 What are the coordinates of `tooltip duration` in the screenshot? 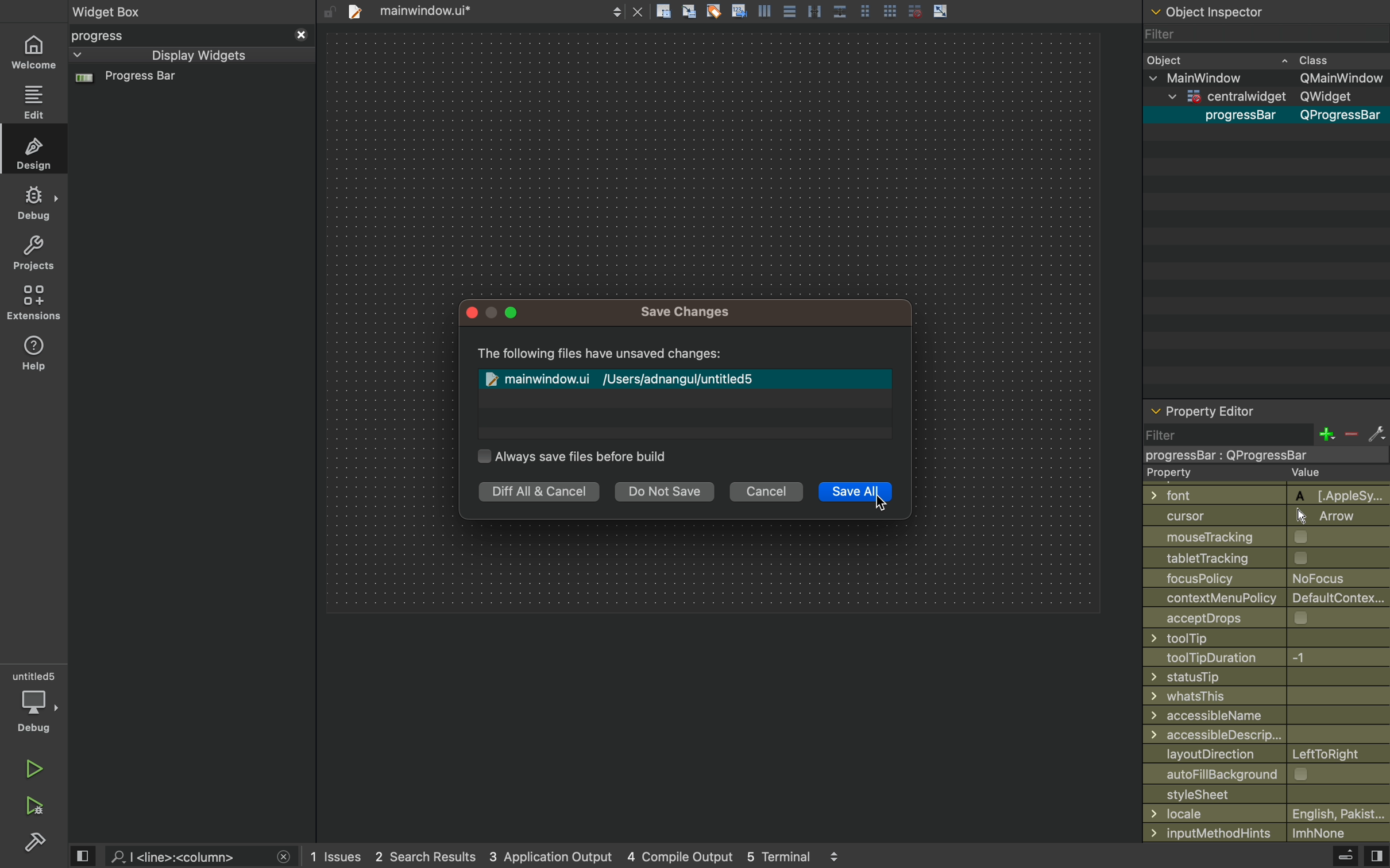 It's located at (1250, 658).